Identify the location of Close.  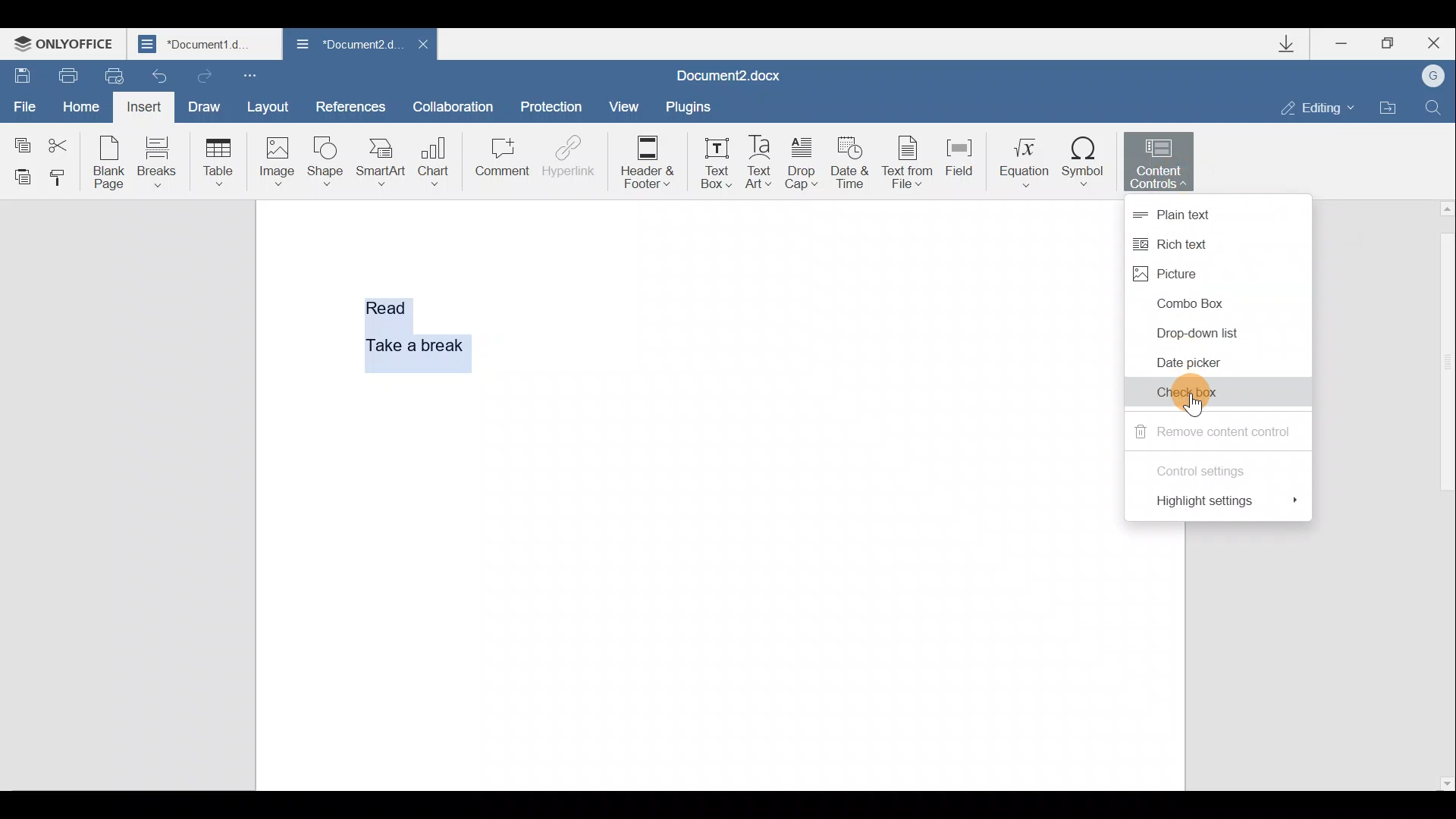
(1439, 42).